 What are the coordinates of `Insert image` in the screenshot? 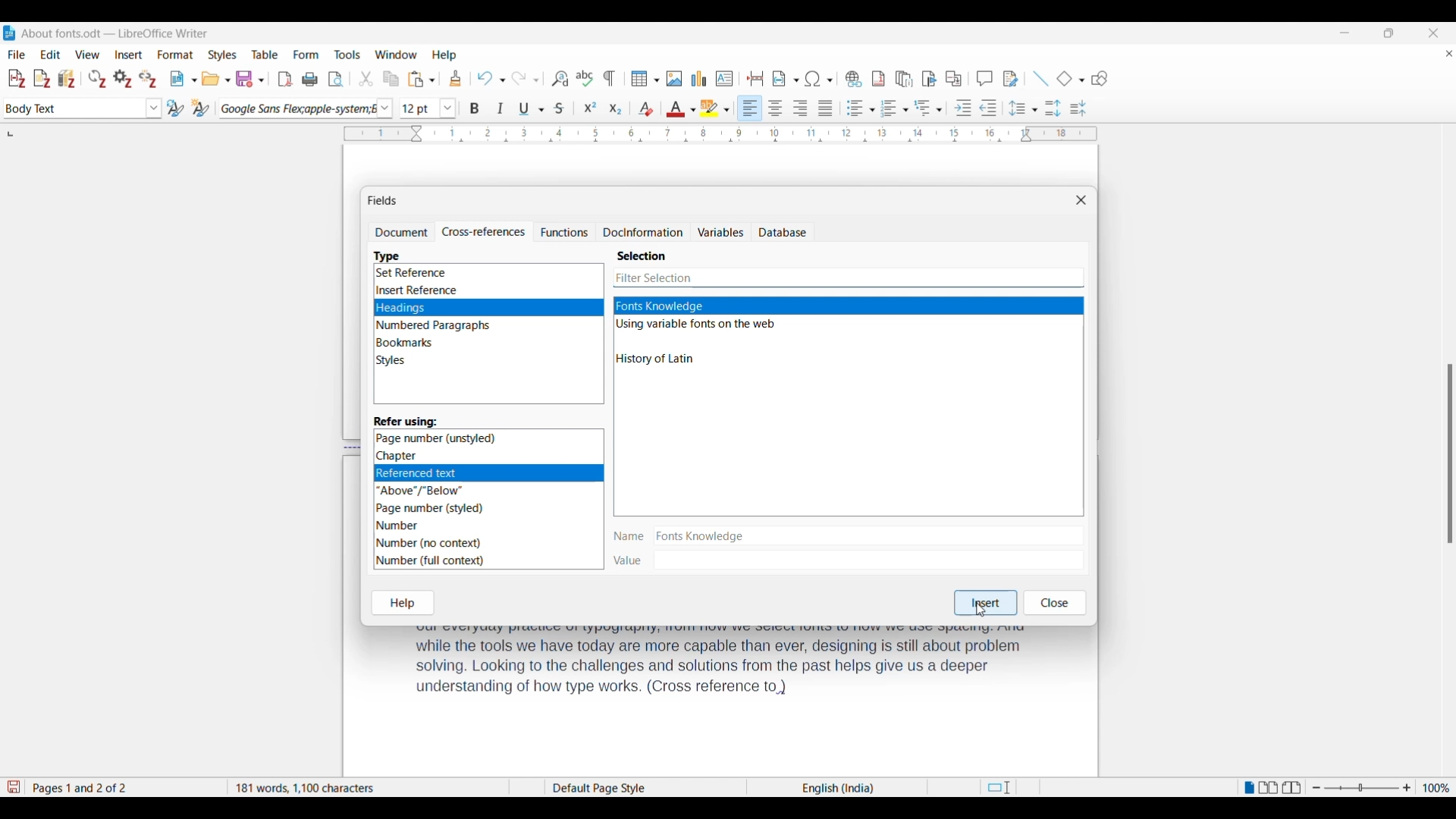 It's located at (674, 79).